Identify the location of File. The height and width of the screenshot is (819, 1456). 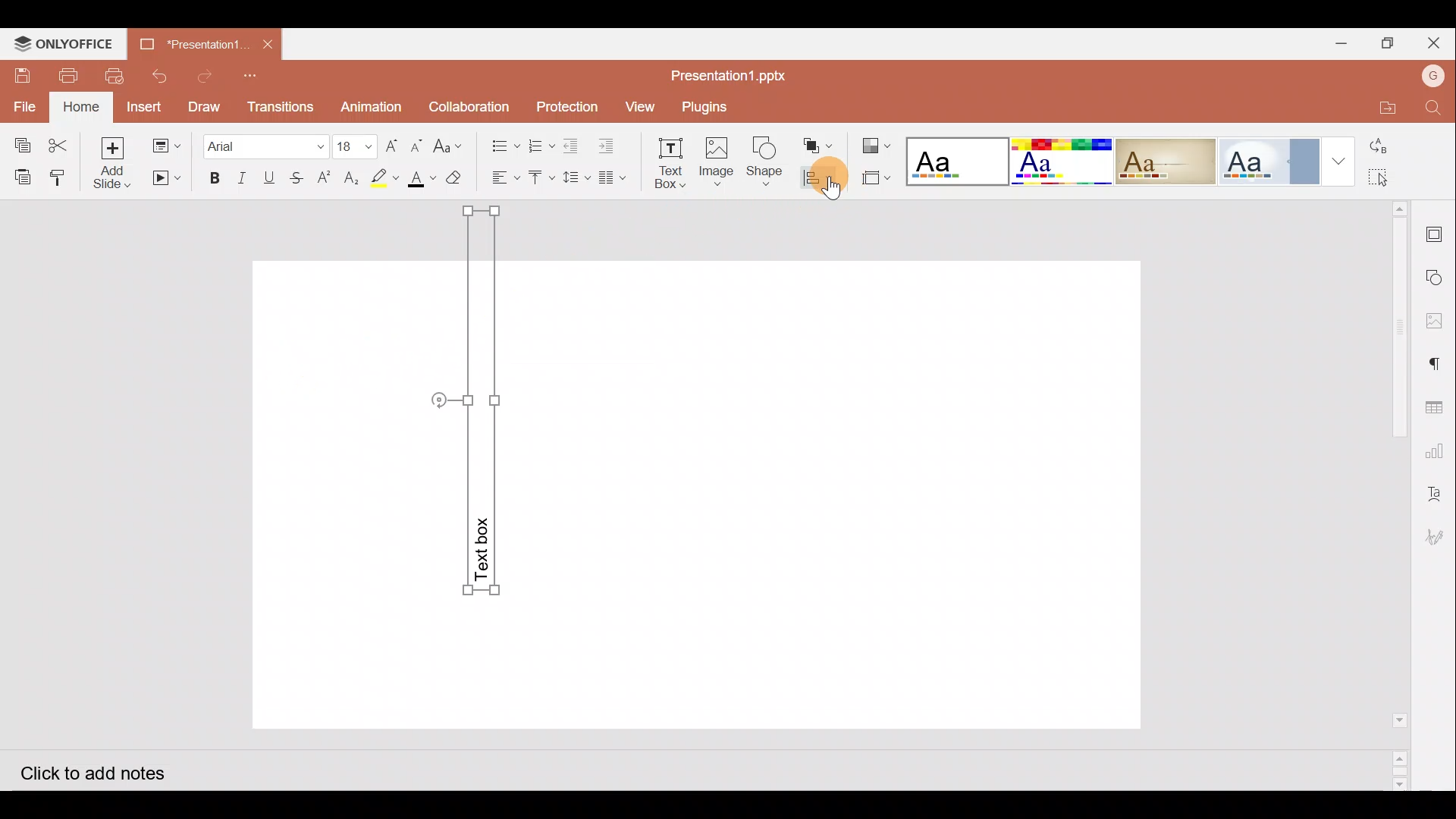
(26, 105).